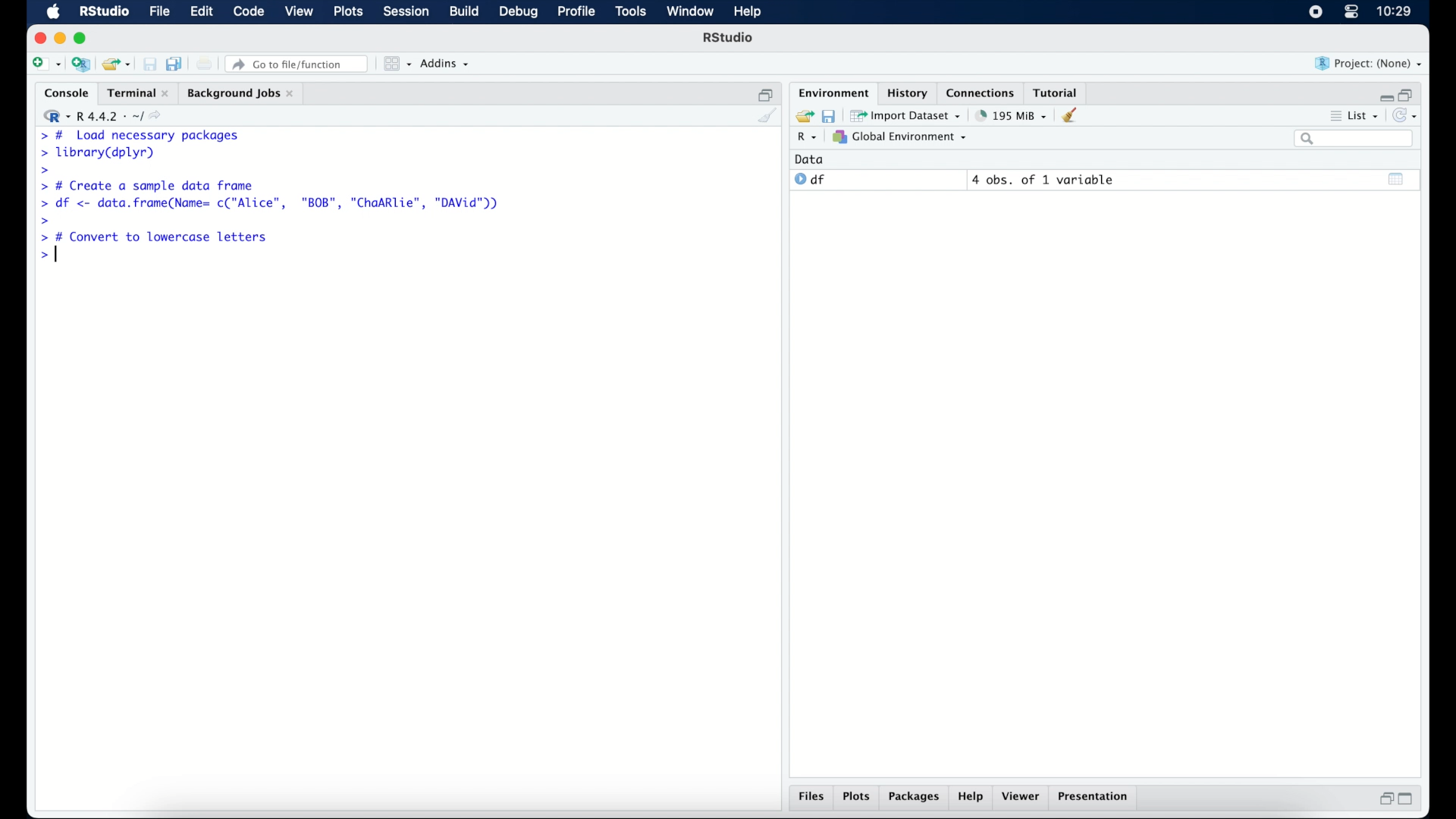 The height and width of the screenshot is (819, 1456). I want to click on clear console, so click(766, 117).